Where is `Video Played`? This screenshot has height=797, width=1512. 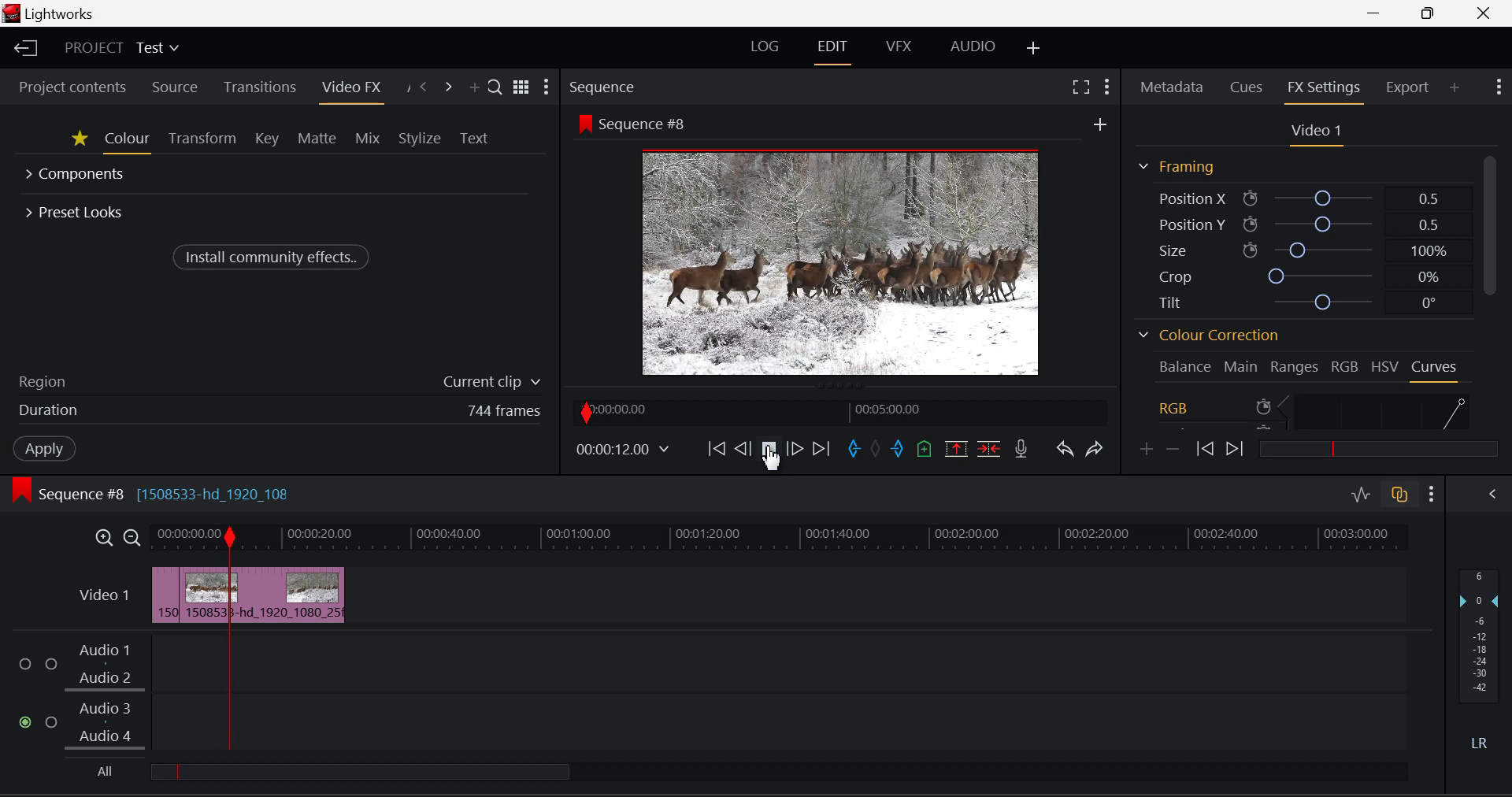
Video Played is located at coordinates (769, 451).